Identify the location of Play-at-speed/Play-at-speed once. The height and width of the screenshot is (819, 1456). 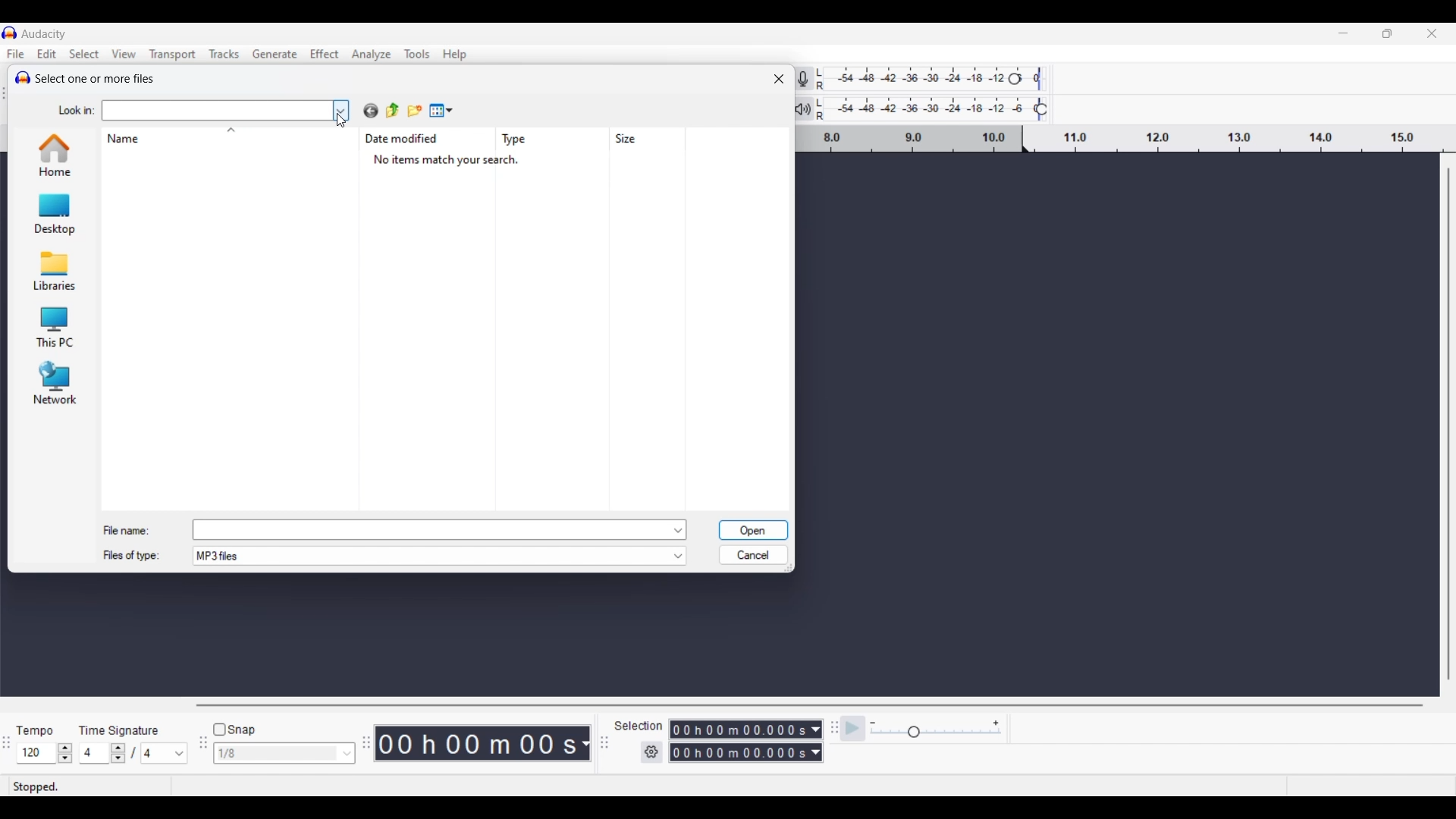
(854, 729).